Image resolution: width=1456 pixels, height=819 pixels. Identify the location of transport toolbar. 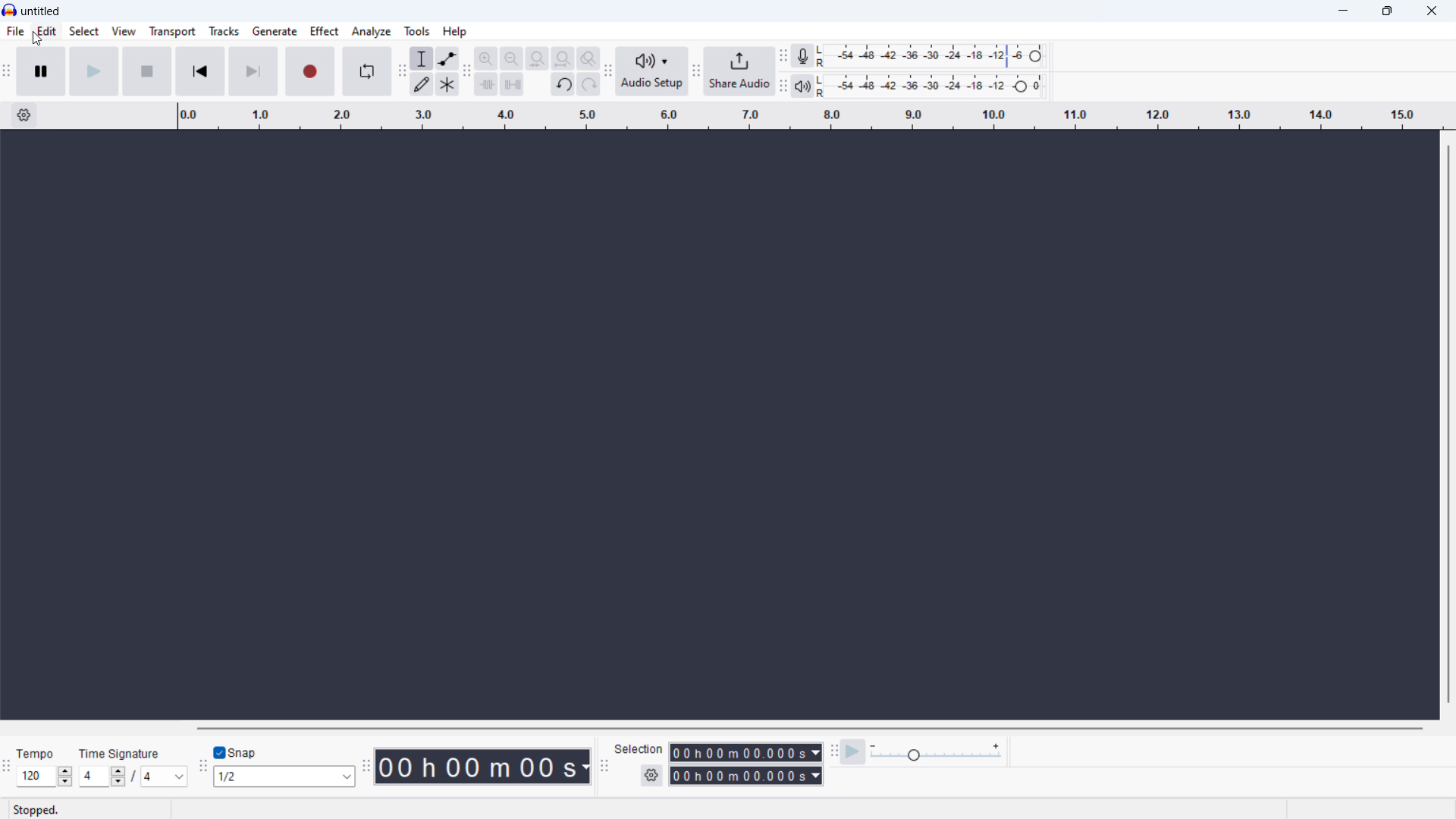
(6, 75).